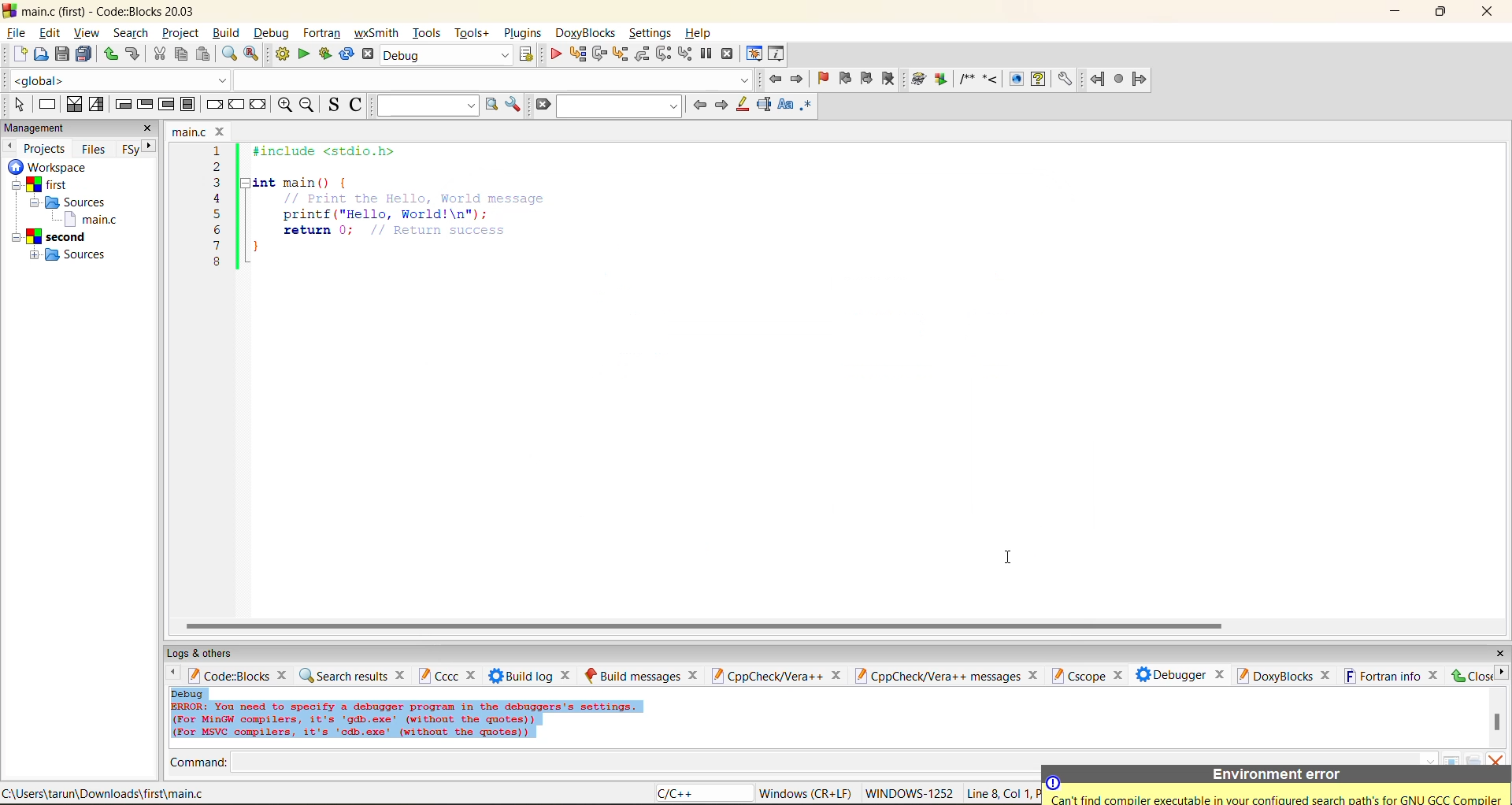 The width and height of the screenshot is (1512, 805). I want to click on text to search, so click(424, 105).